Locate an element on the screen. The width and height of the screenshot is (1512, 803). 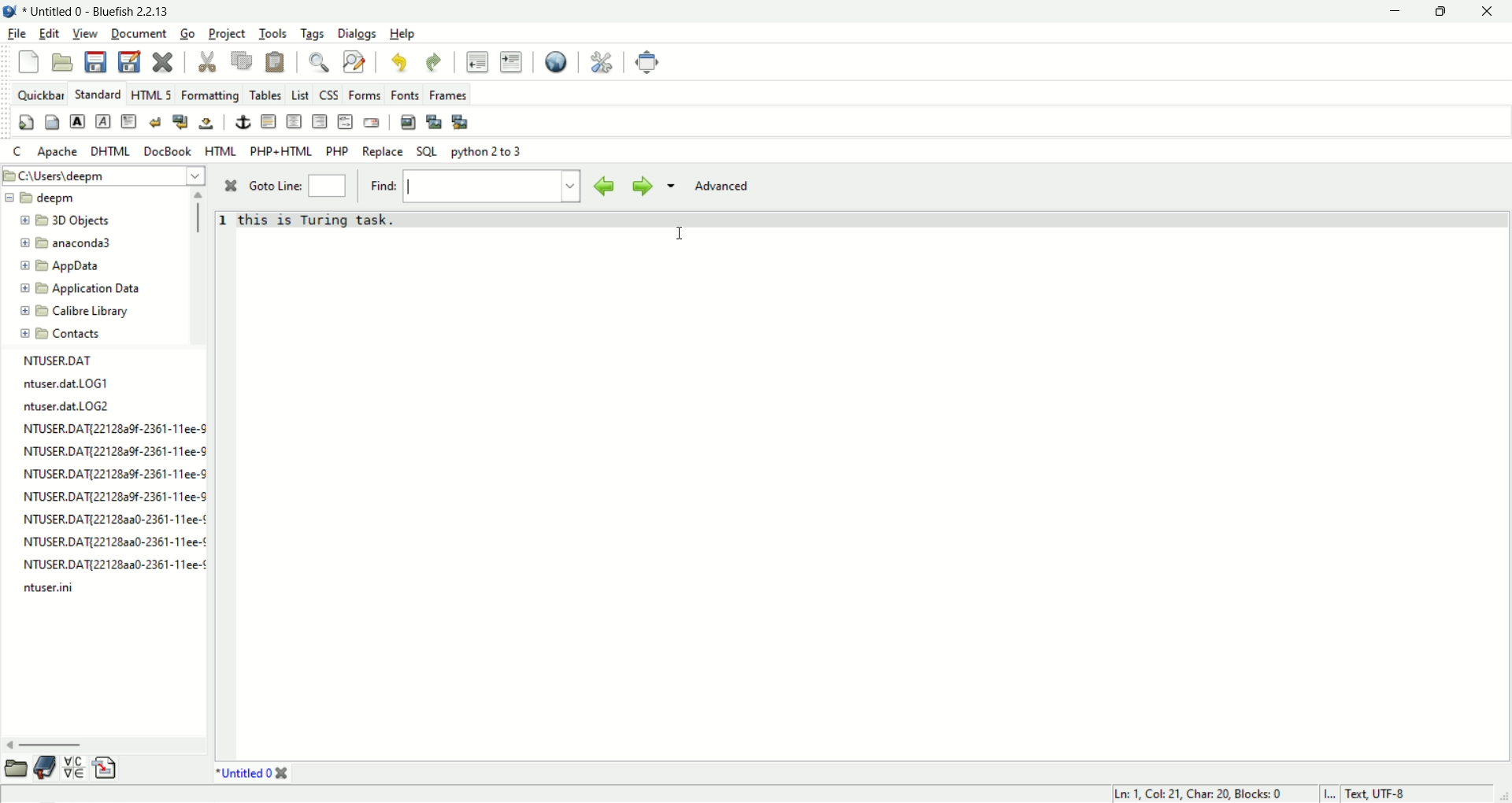
maximize is located at coordinates (1444, 13).